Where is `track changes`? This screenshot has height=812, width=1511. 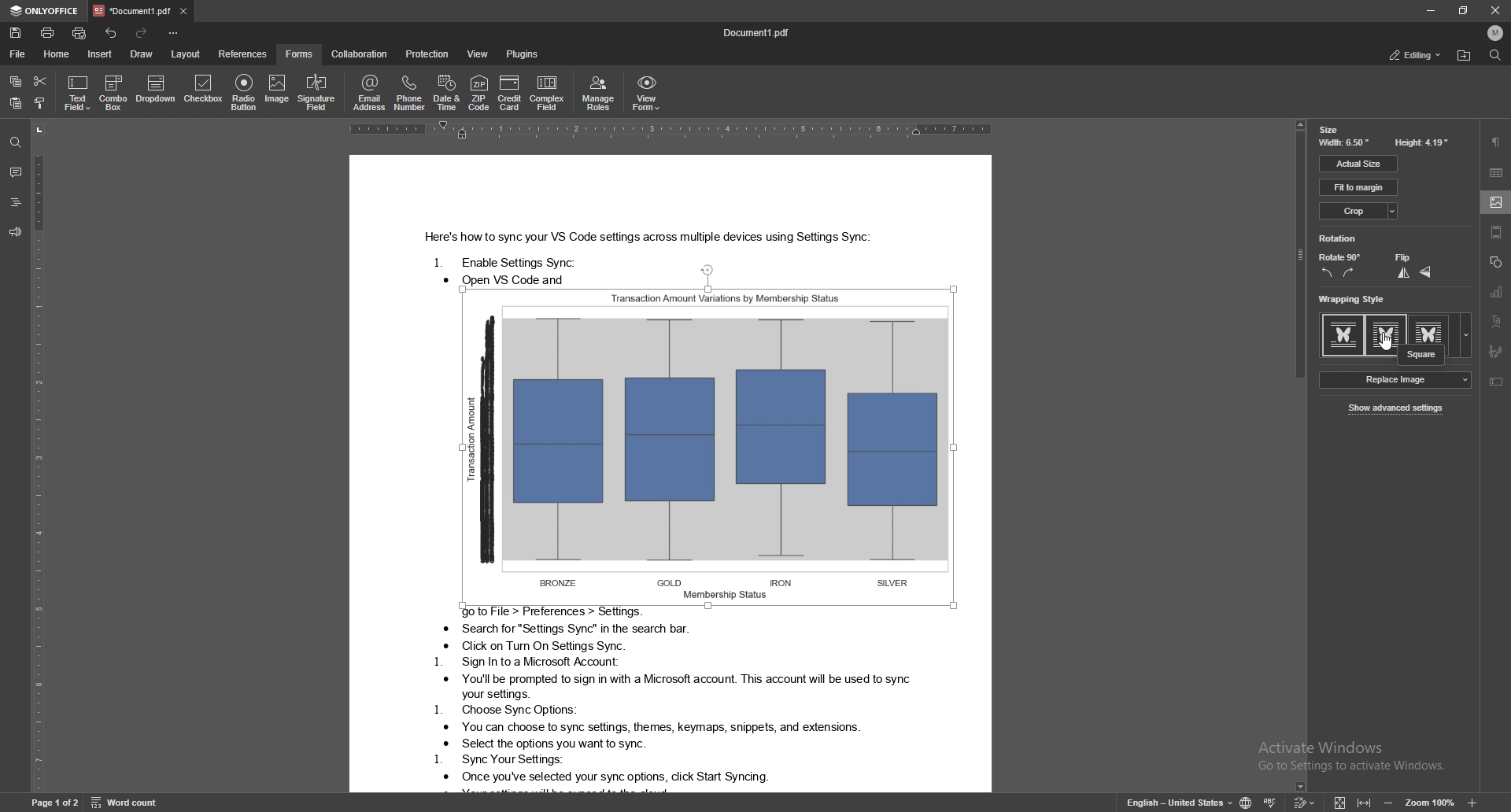 track changes is located at coordinates (1303, 803).